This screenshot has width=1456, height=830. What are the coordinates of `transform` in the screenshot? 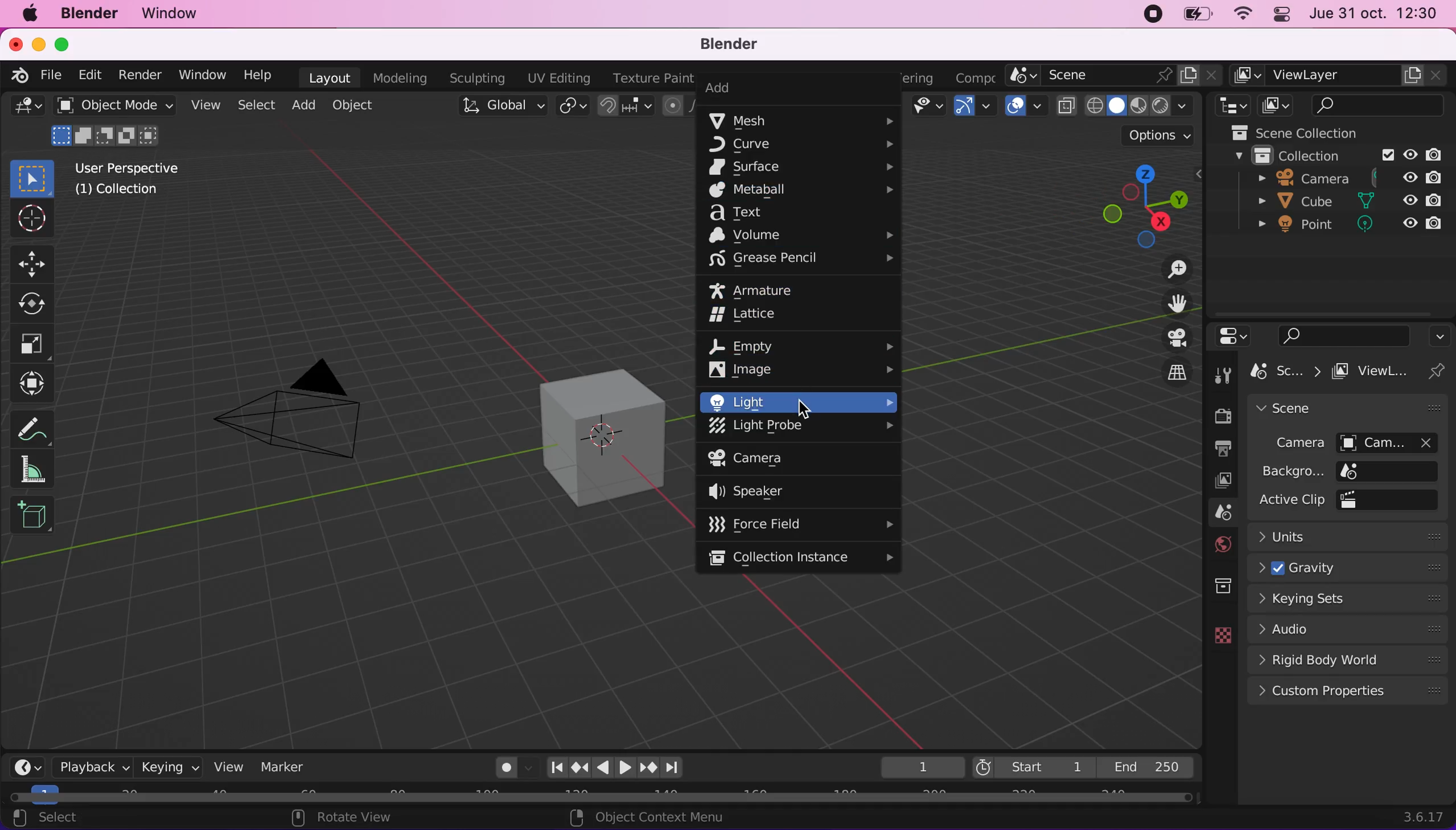 It's located at (35, 385).